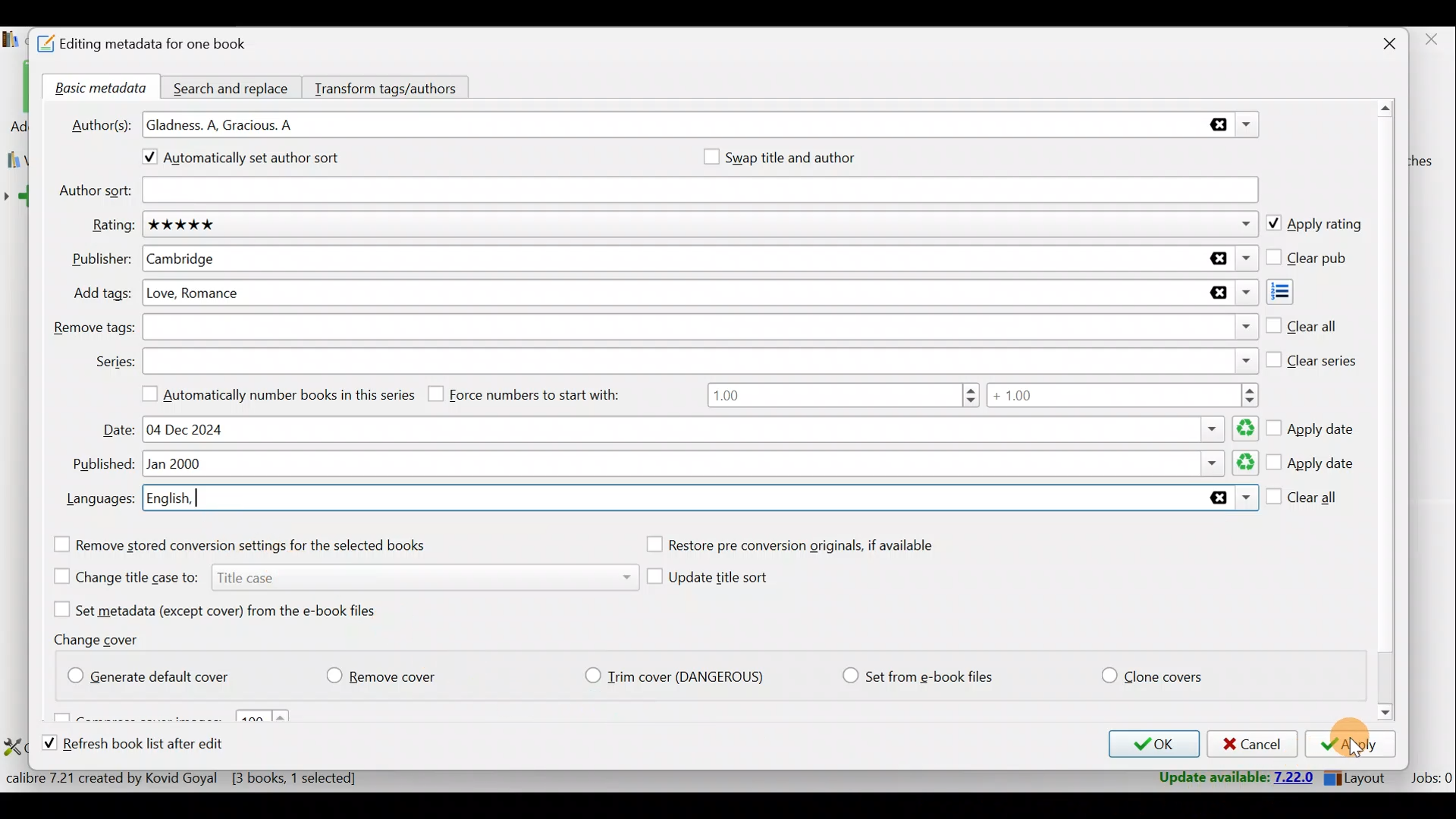  What do you see at coordinates (339, 576) in the screenshot?
I see `Change title case to` at bounding box center [339, 576].